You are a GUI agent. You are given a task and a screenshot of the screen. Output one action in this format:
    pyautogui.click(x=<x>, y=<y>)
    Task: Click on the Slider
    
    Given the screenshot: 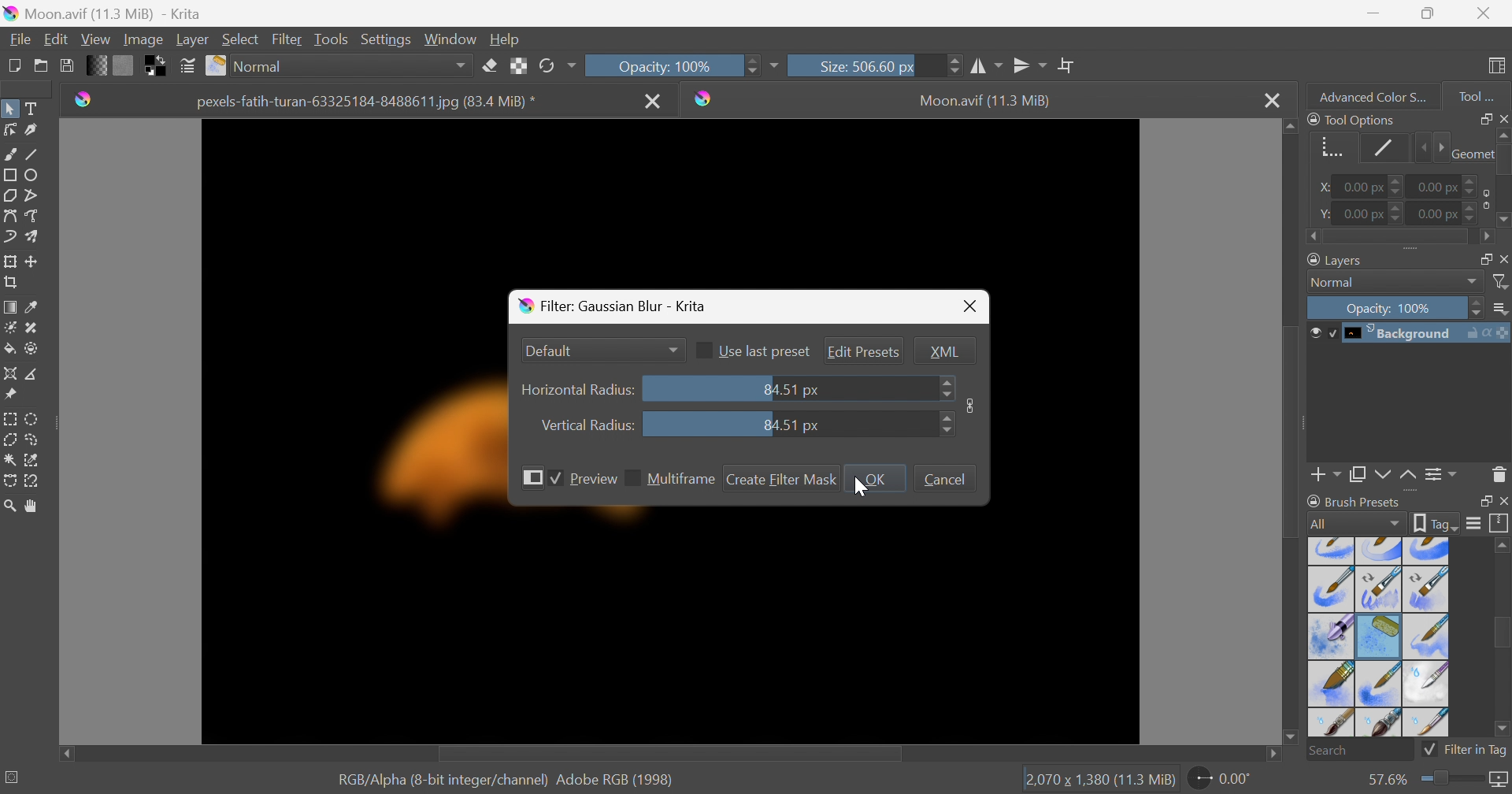 What is the action you would take?
    pyautogui.click(x=946, y=388)
    